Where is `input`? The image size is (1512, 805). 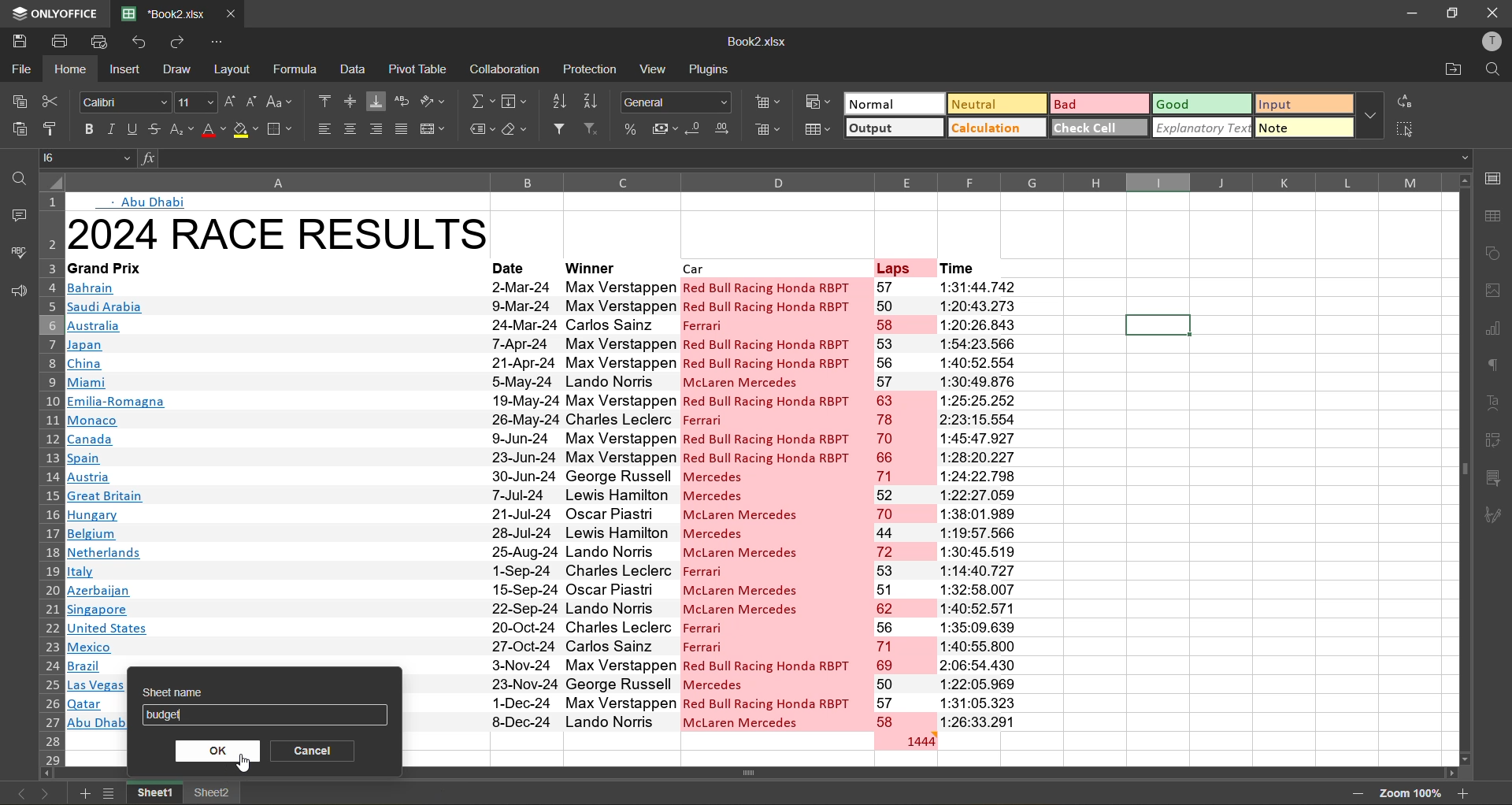
input is located at coordinates (1301, 106).